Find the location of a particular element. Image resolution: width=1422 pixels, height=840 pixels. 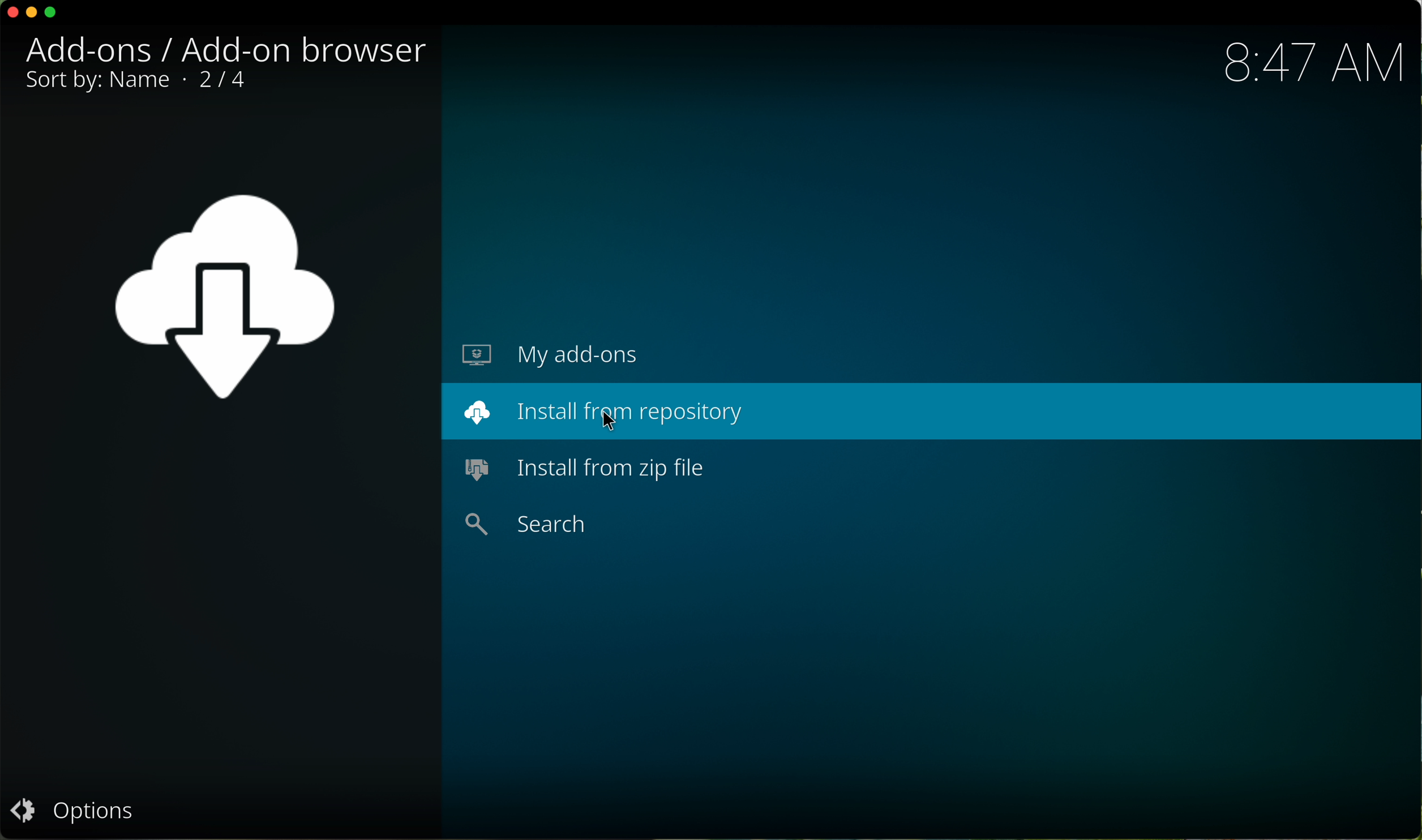

sort by: name is located at coordinates (97, 83).